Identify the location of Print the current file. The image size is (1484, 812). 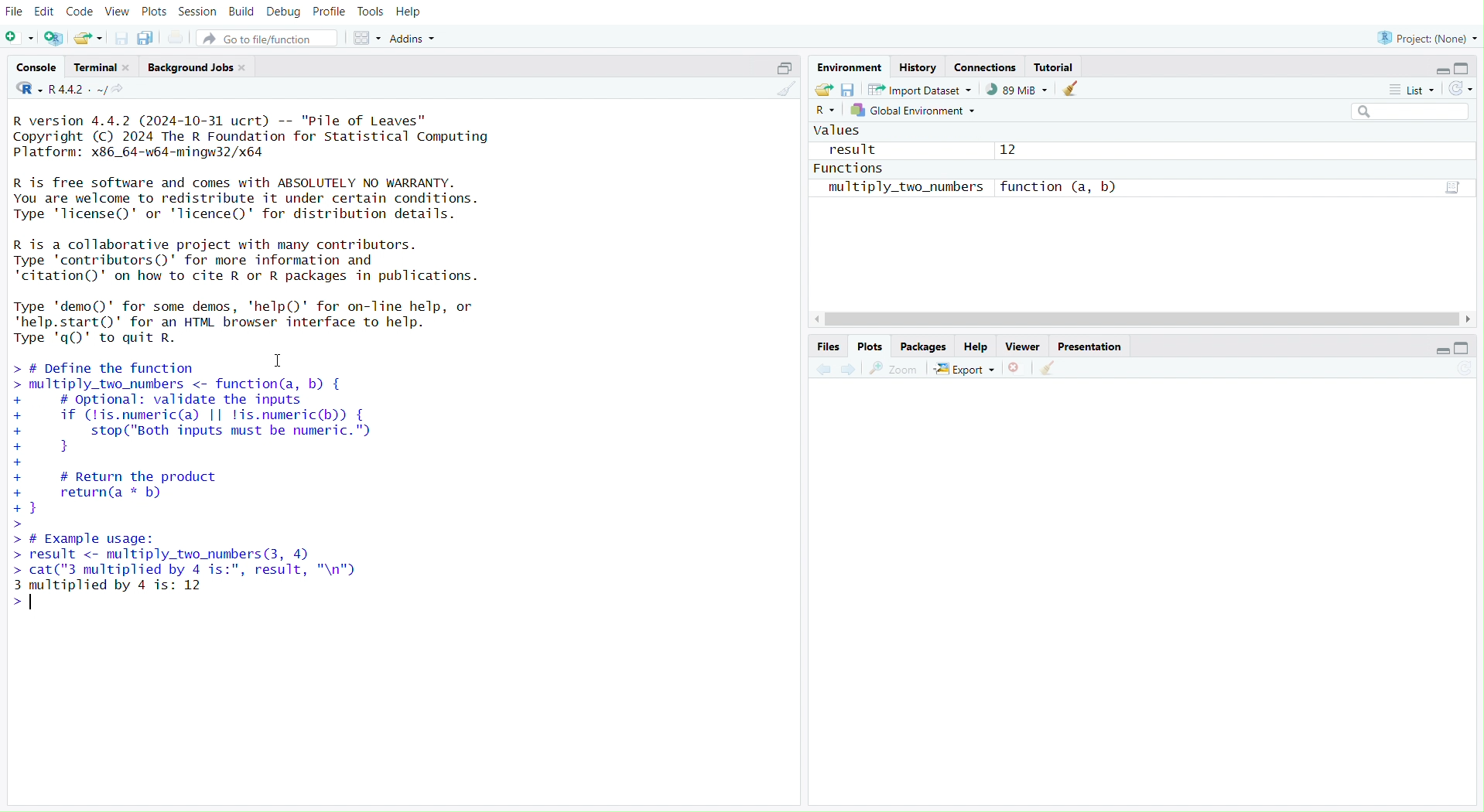
(180, 37).